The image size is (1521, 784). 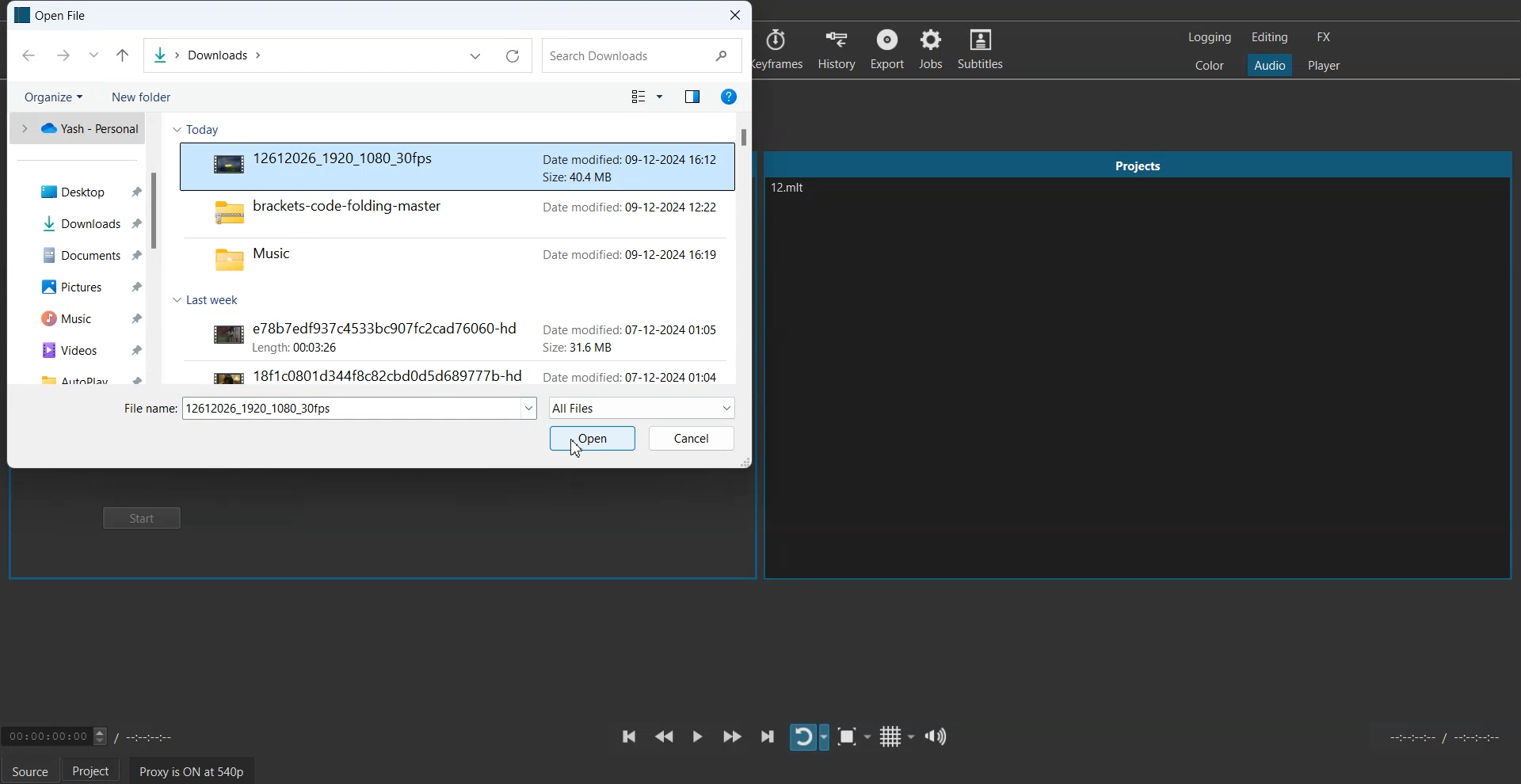 What do you see at coordinates (145, 519) in the screenshot?
I see `Start` at bounding box center [145, 519].